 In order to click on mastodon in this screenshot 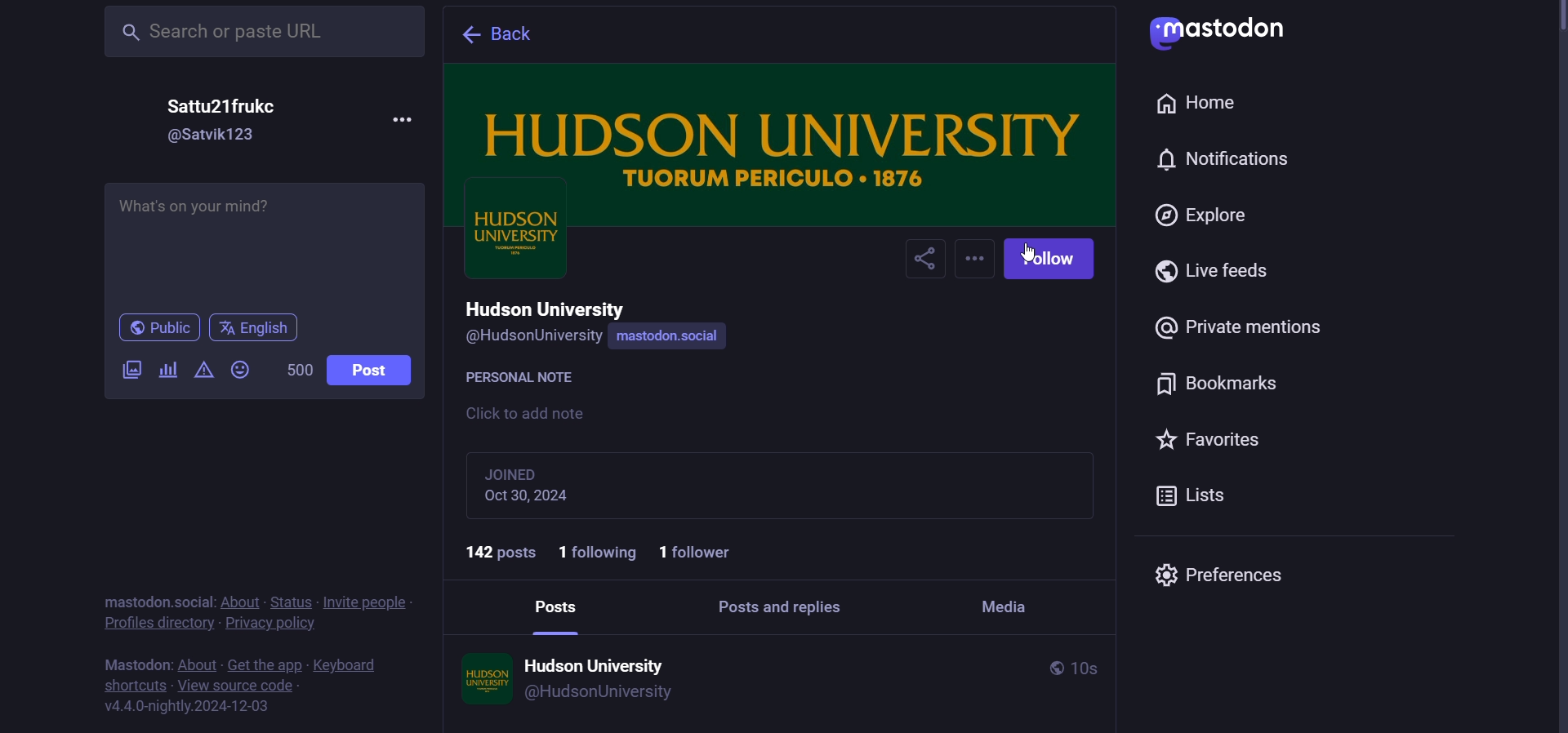, I will do `click(136, 602)`.